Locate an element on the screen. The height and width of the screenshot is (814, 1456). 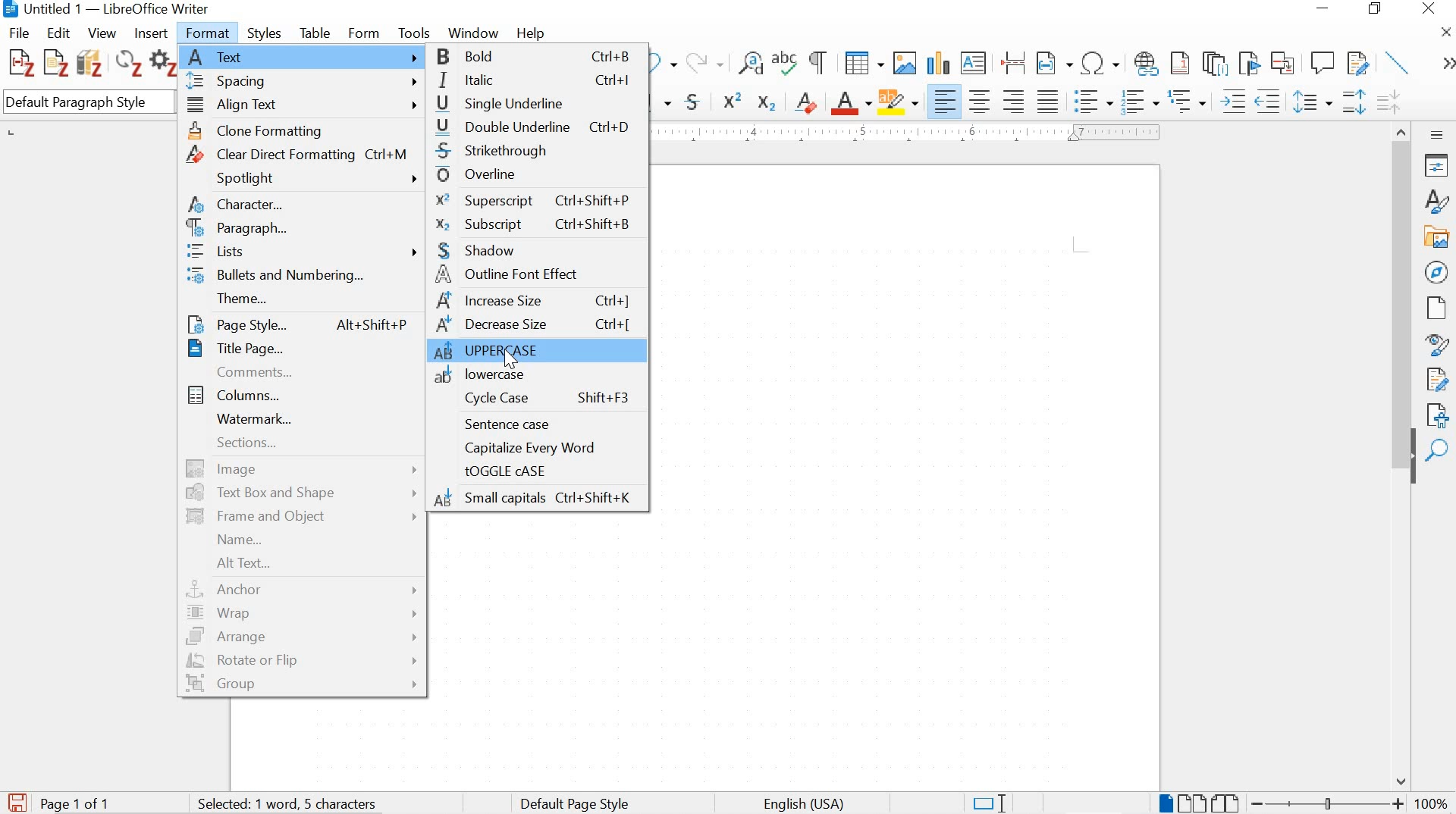
sentence case is located at coordinates (535, 424).